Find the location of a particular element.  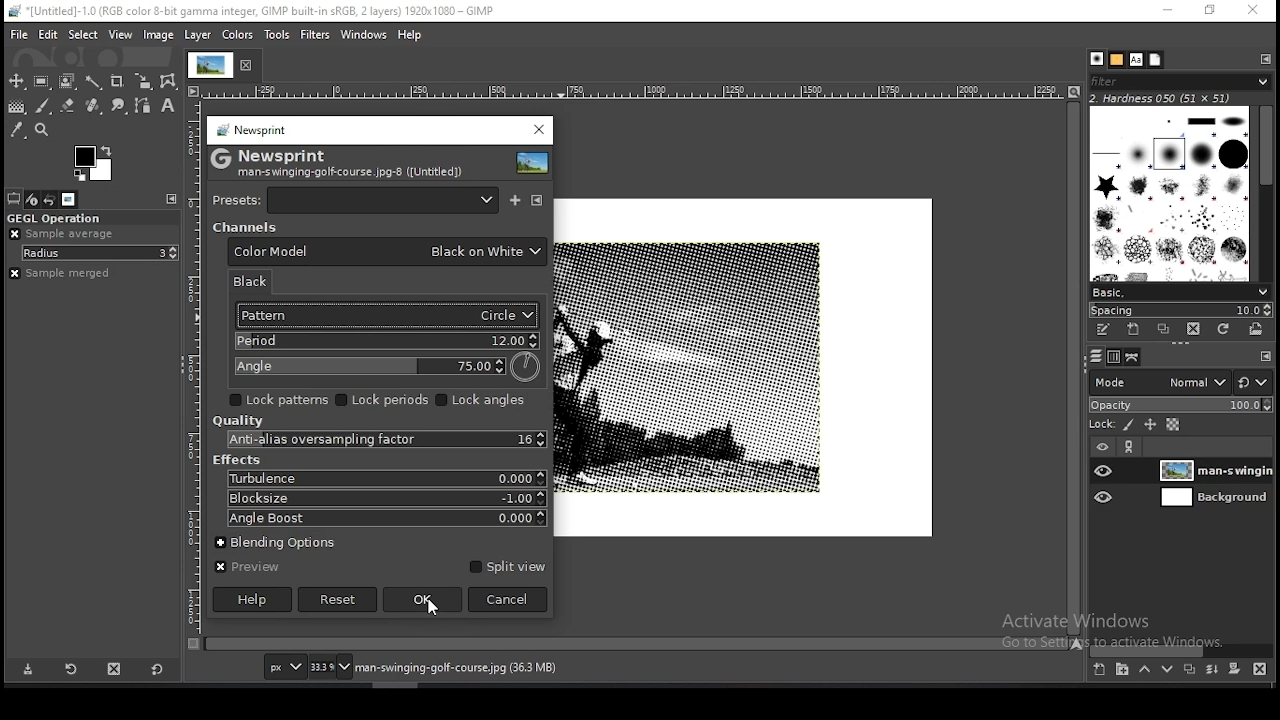

patterns is located at coordinates (1117, 59).